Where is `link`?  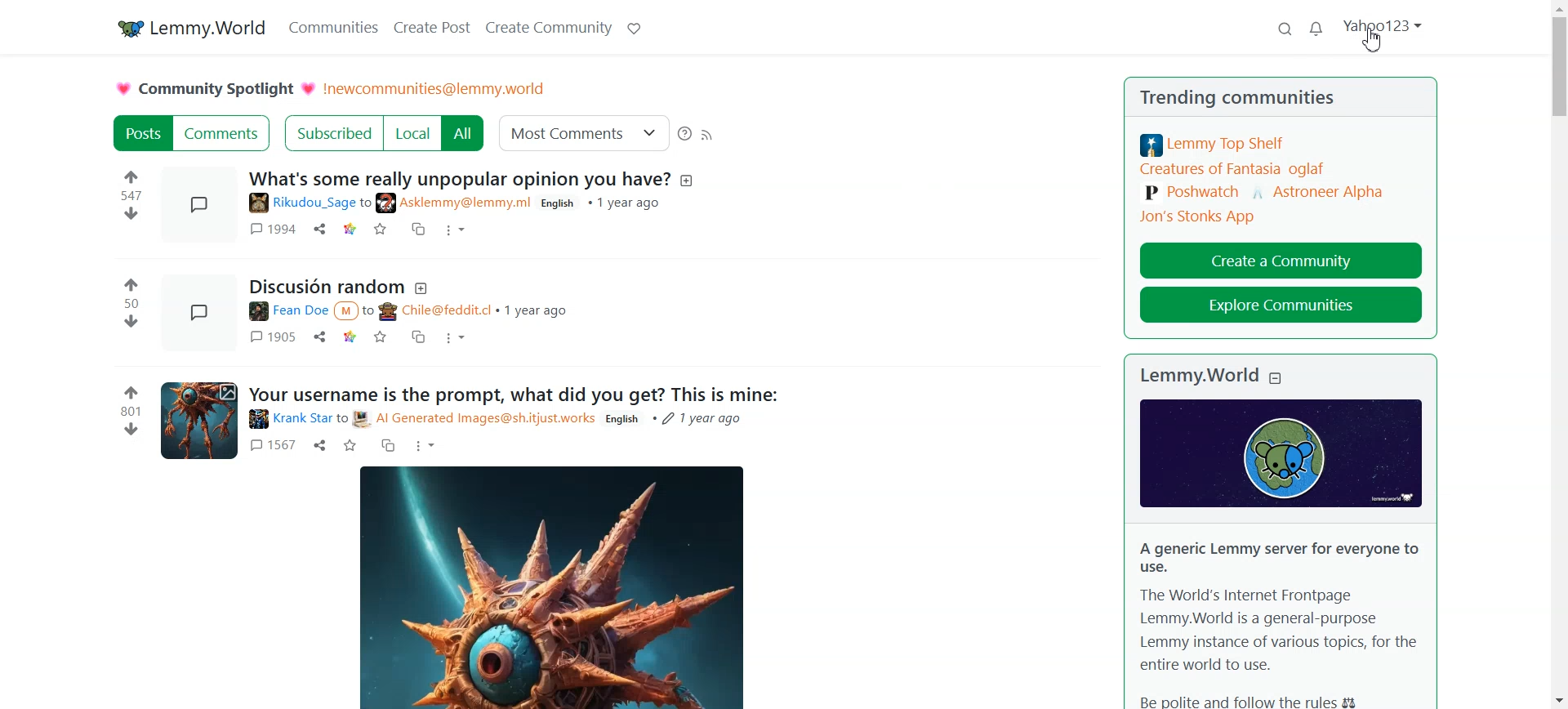 link is located at coordinates (352, 338).